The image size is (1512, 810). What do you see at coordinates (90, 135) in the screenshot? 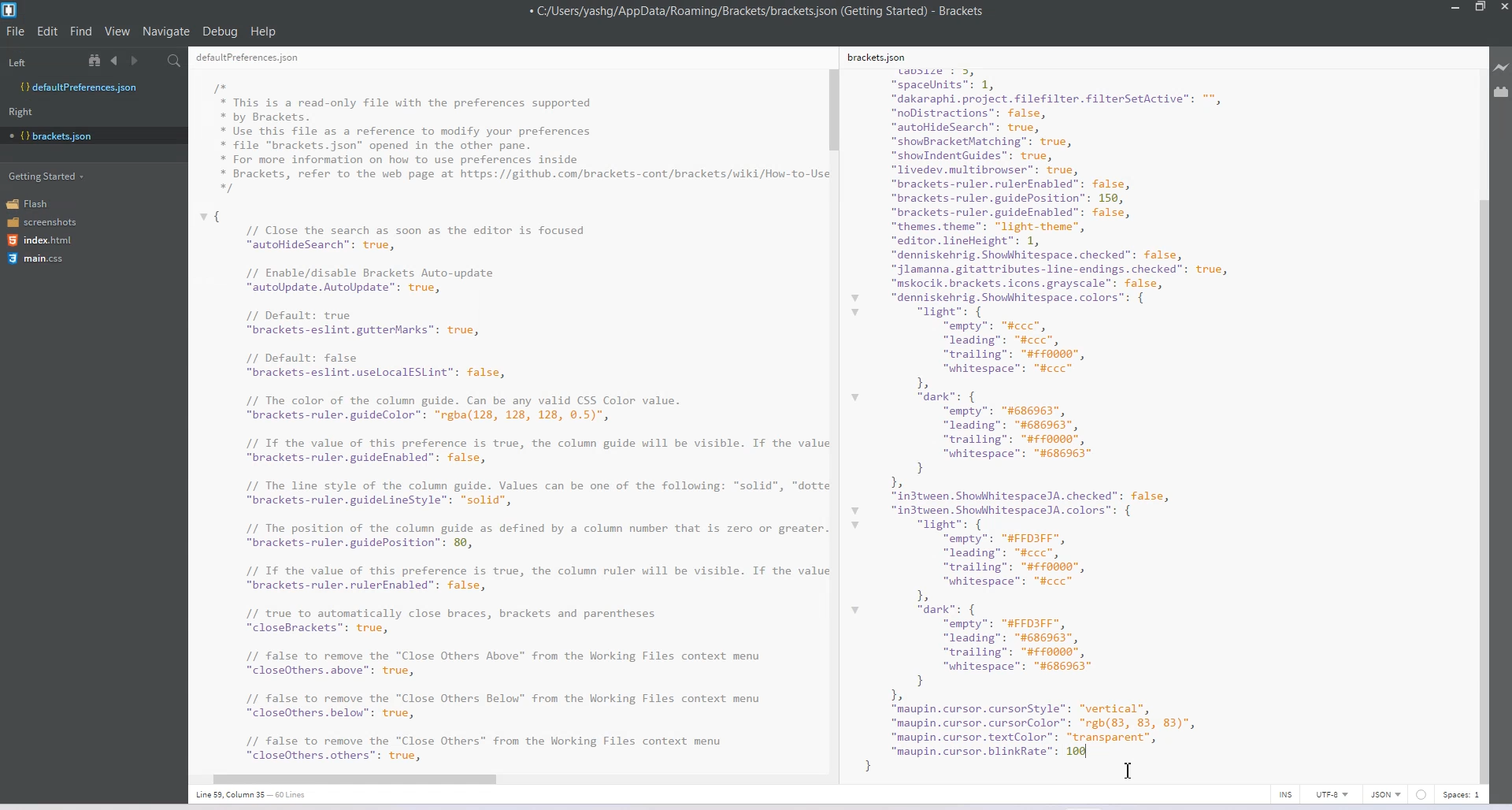
I see `bracket.json` at bounding box center [90, 135].